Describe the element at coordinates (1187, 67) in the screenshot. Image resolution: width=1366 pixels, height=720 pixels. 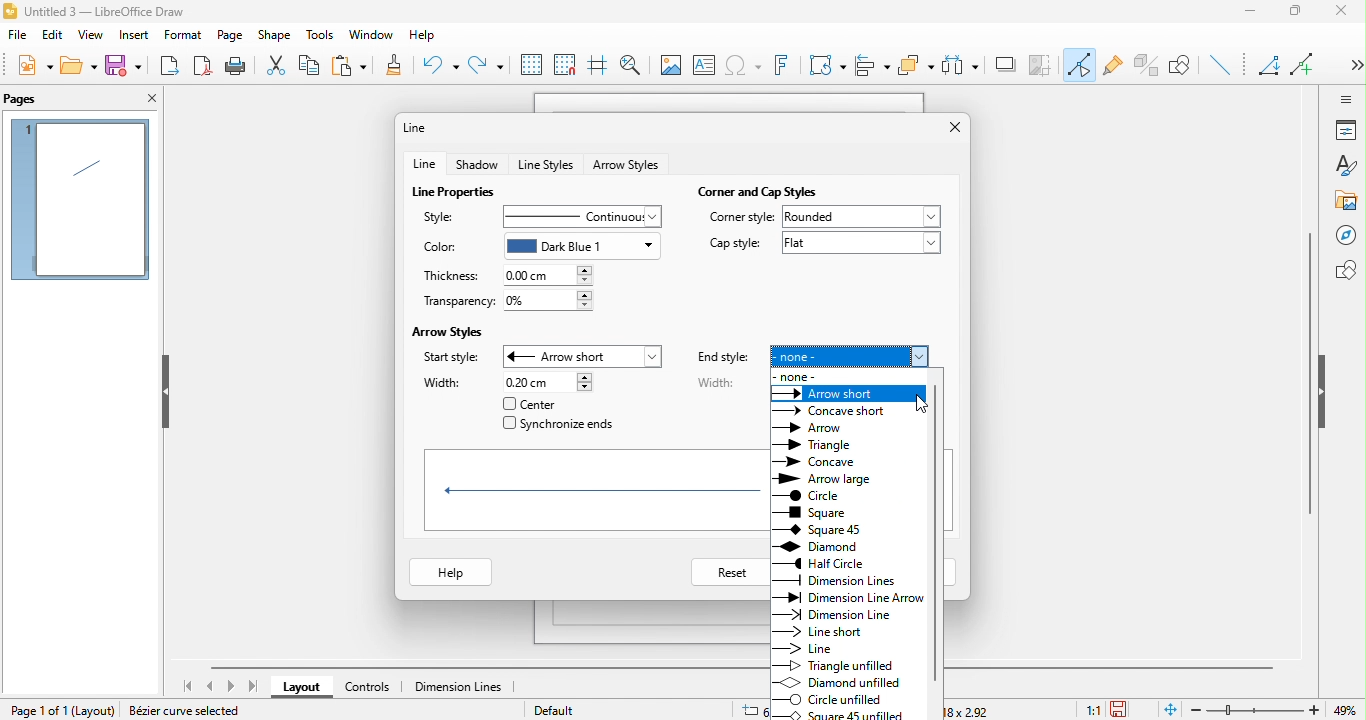
I see `show the draw function` at that location.